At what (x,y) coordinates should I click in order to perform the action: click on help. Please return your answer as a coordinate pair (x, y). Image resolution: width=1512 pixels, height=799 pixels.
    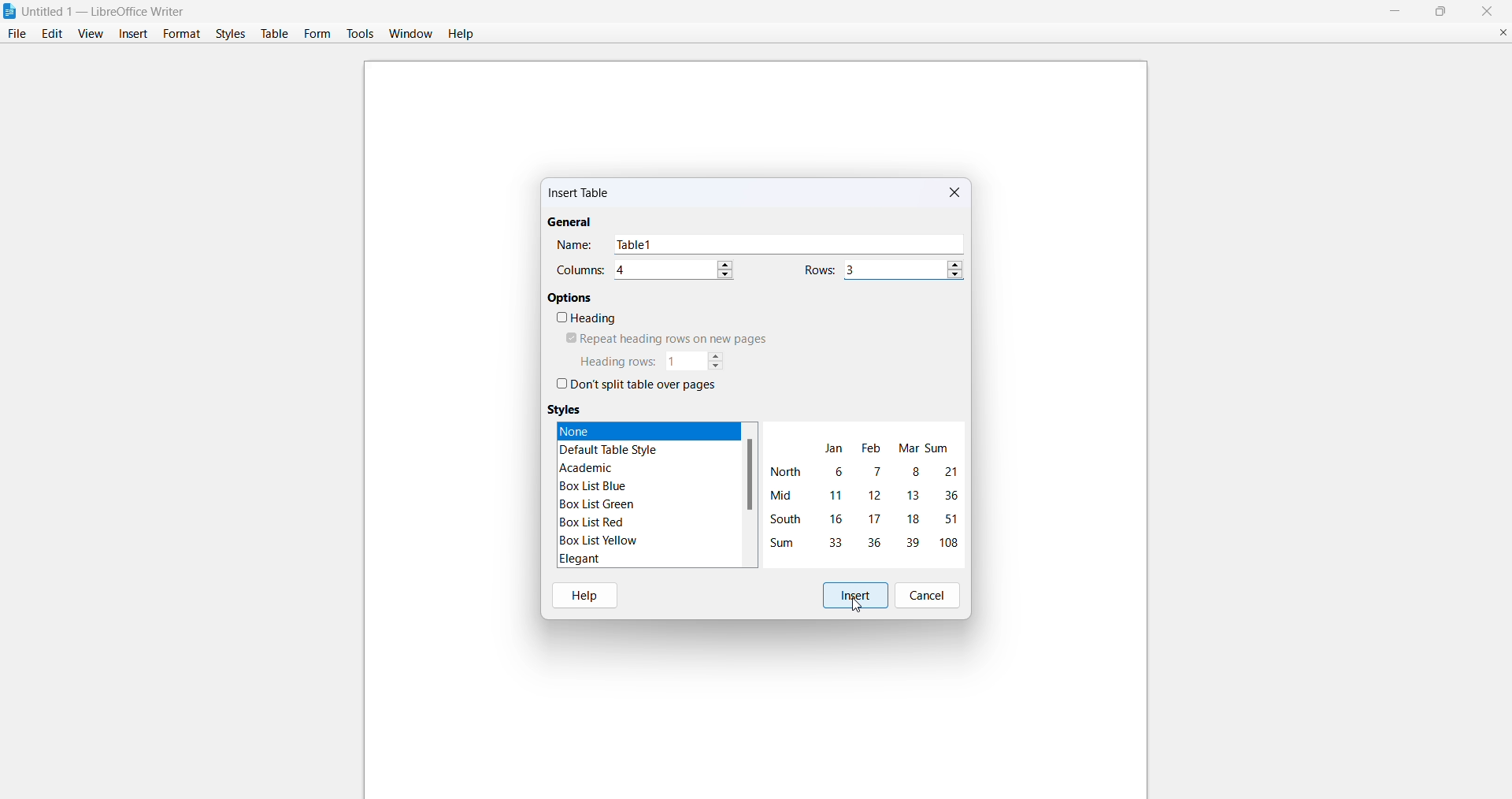
    Looking at the image, I should click on (587, 593).